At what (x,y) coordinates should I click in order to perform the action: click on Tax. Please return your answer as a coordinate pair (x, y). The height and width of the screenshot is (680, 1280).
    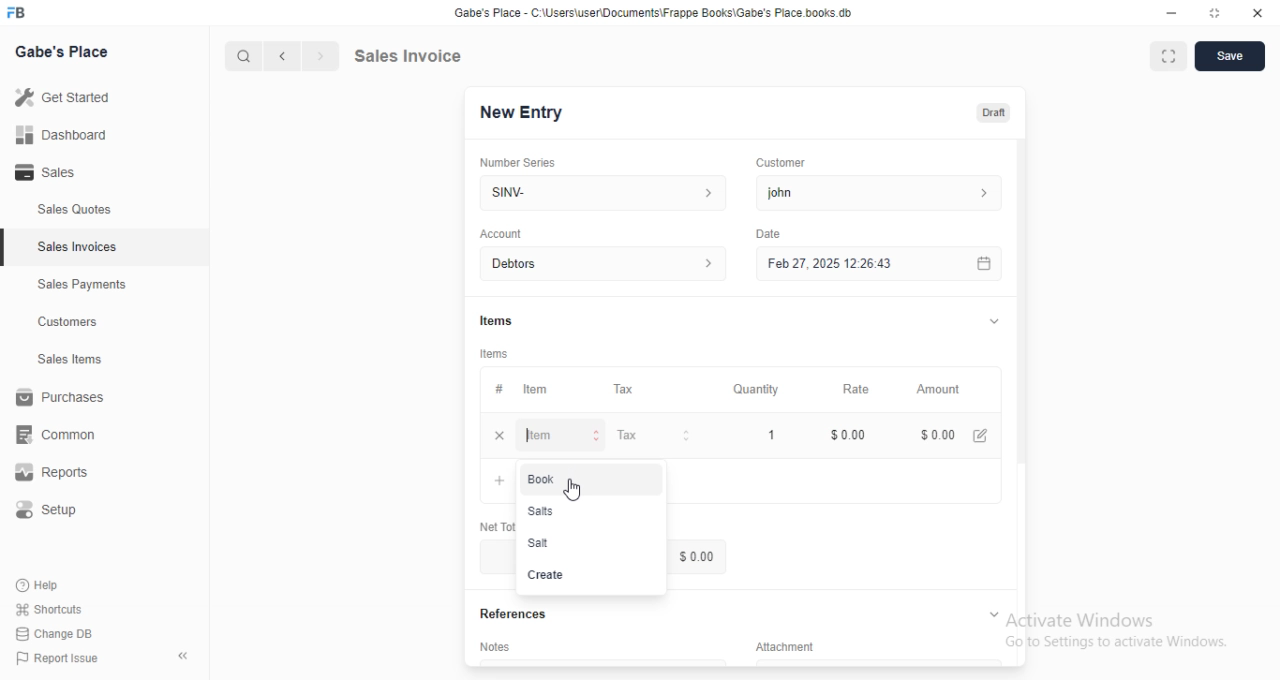
    Looking at the image, I should click on (656, 436).